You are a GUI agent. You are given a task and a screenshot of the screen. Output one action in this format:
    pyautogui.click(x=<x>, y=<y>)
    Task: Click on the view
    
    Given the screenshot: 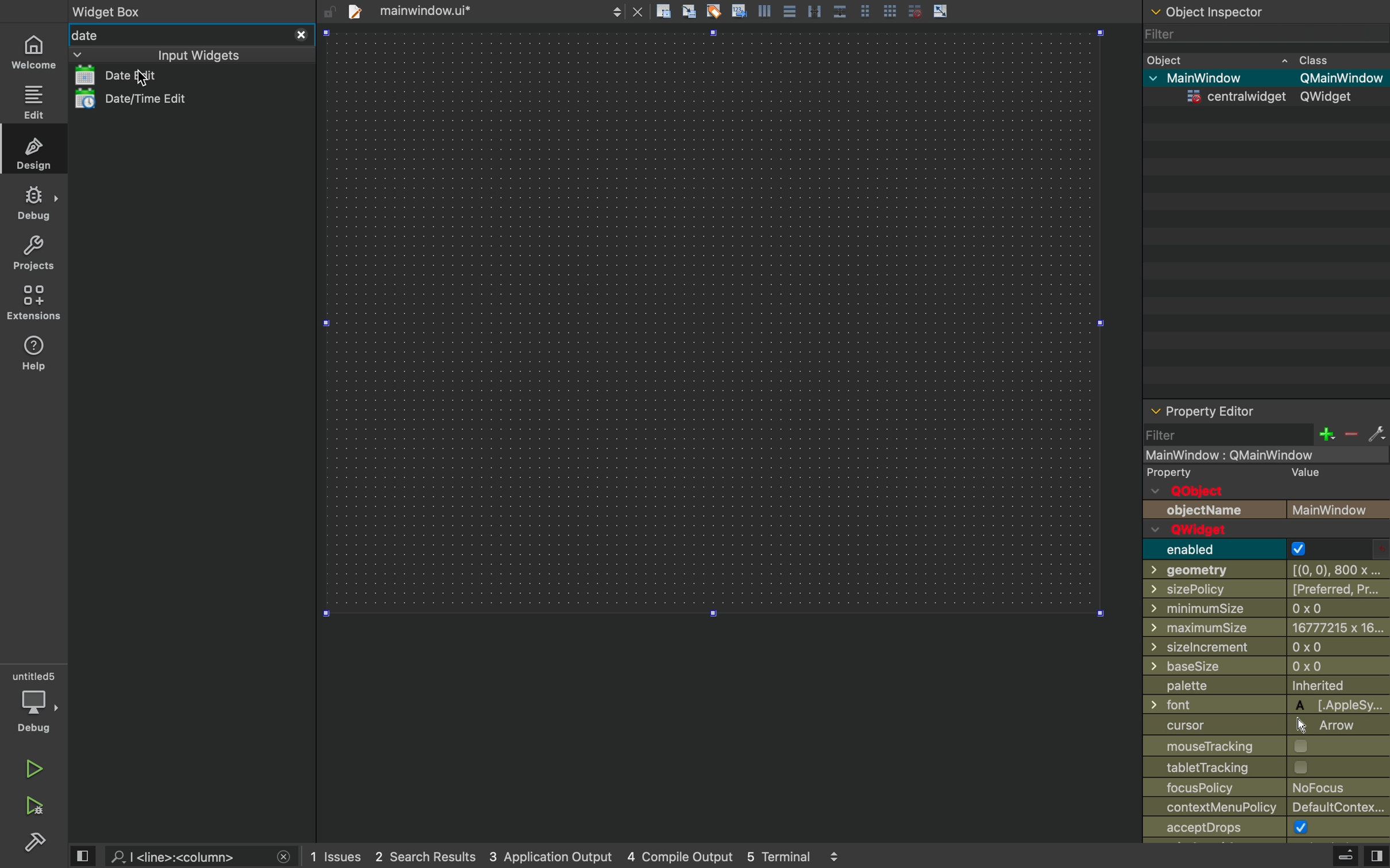 What is the action you would take?
    pyautogui.click(x=81, y=855)
    